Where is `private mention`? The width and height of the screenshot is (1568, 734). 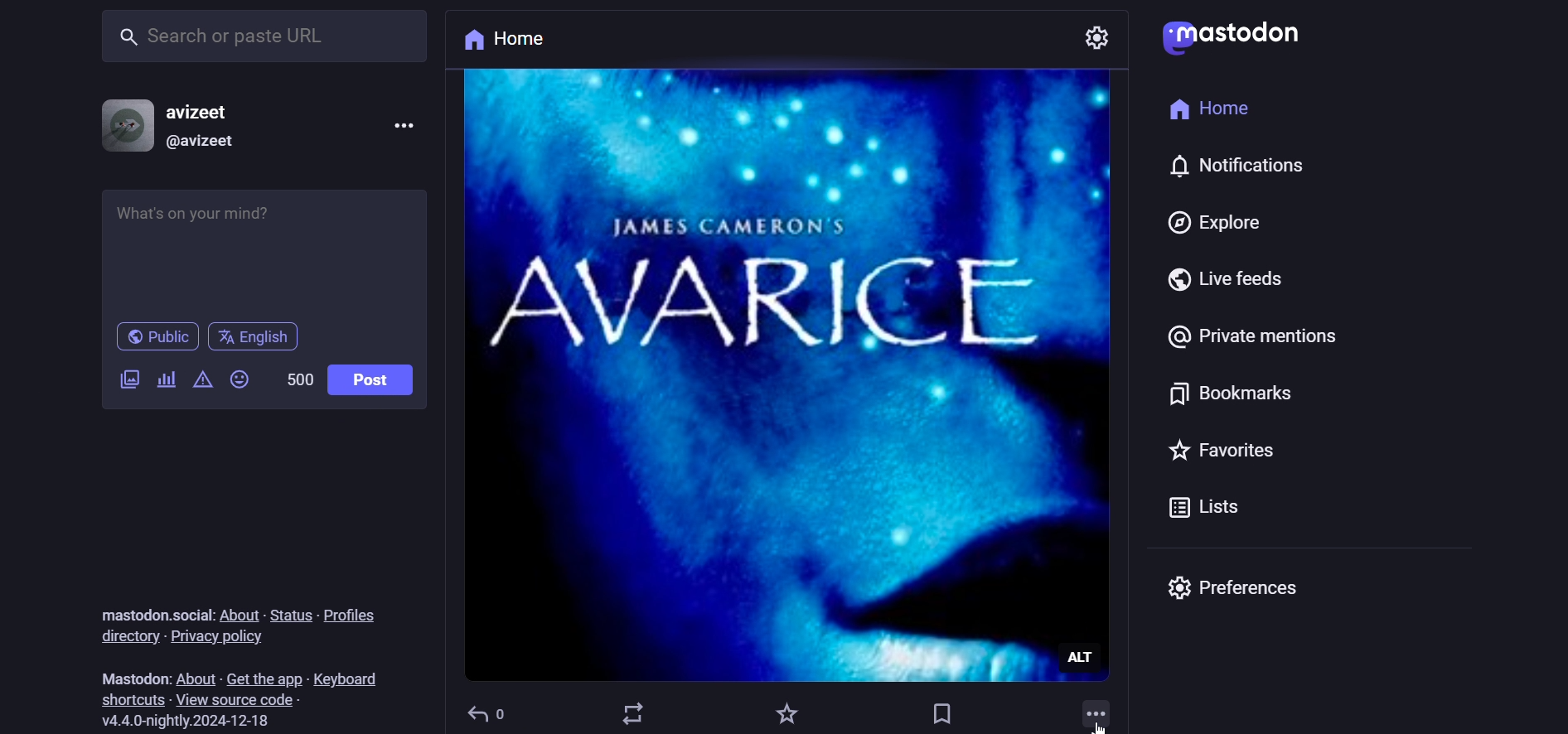
private mention is located at coordinates (1256, 333).